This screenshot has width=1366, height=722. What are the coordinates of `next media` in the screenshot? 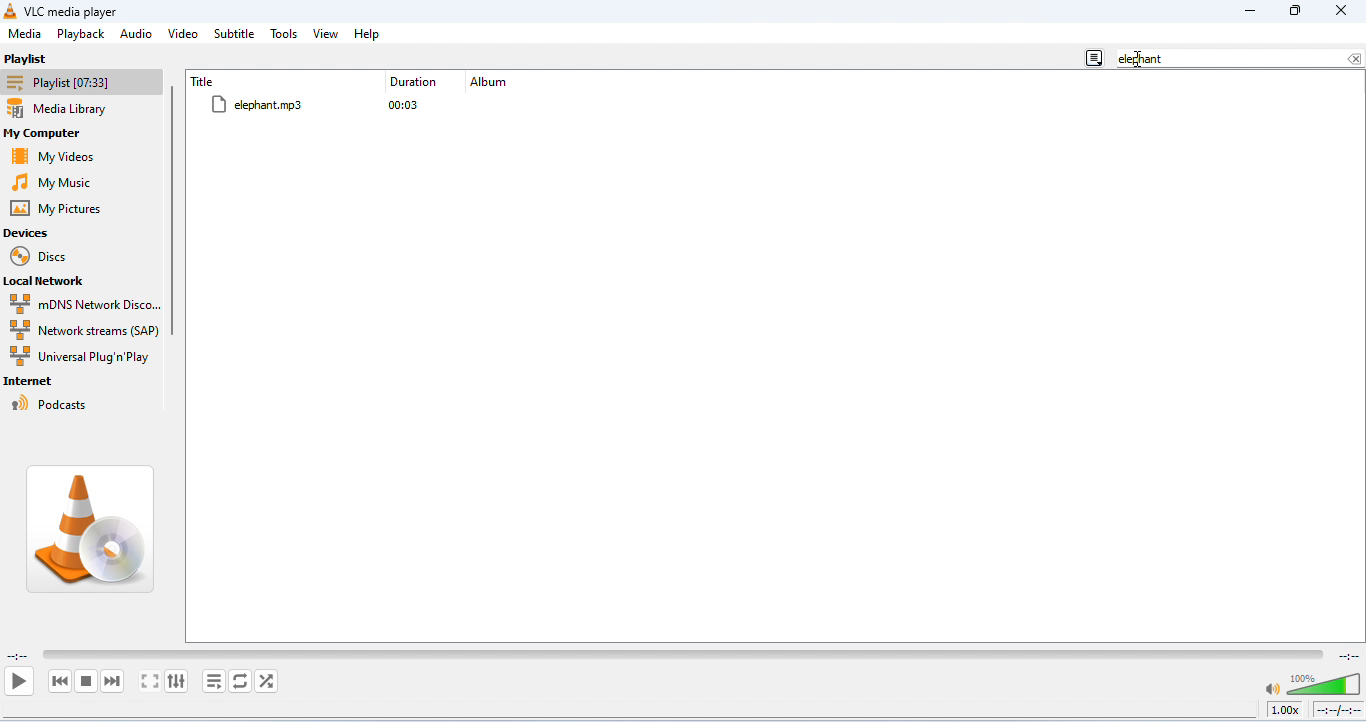 It's located at (114, 682).